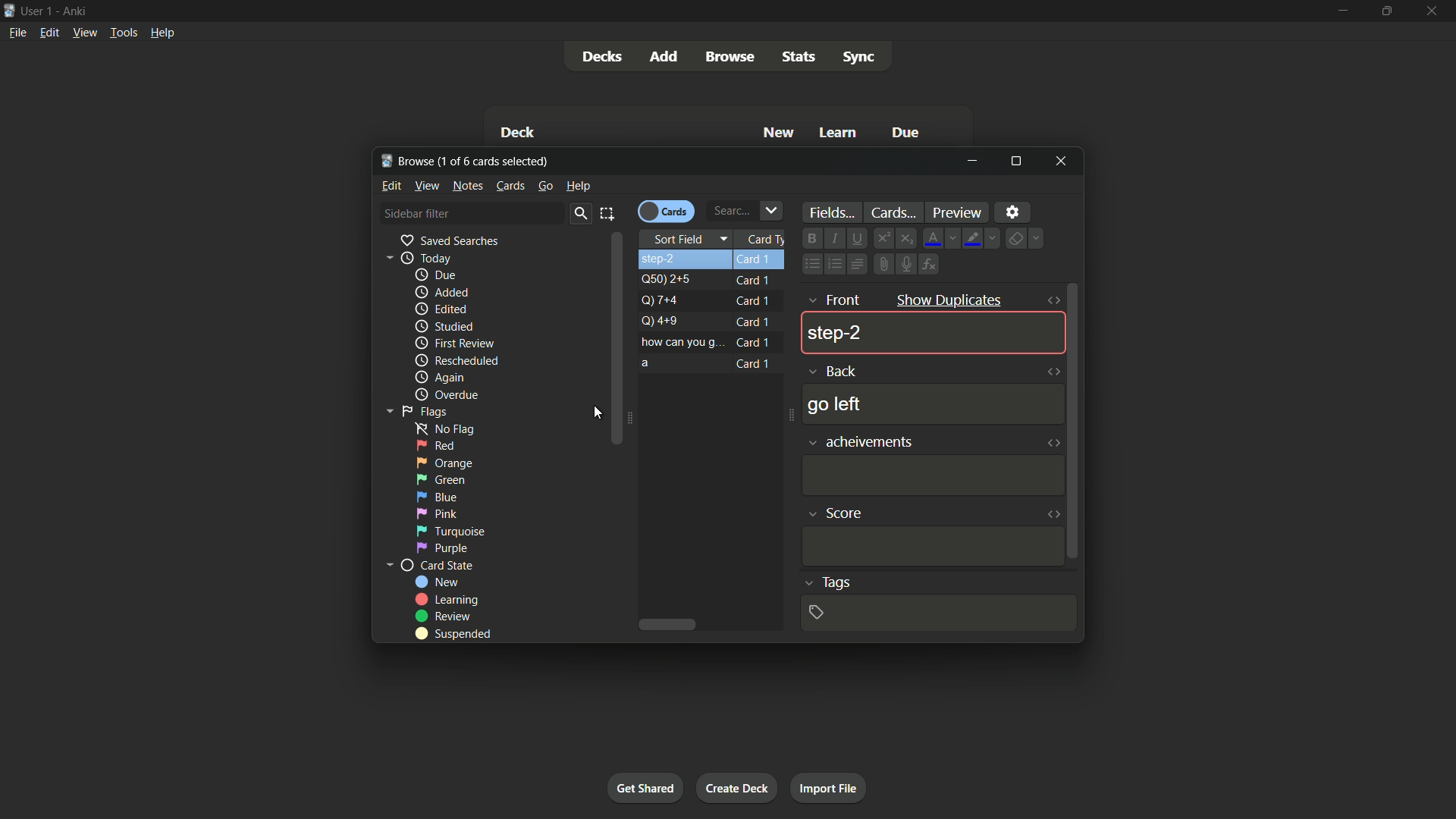  I want to click on Ordered List, so click(833, 265).